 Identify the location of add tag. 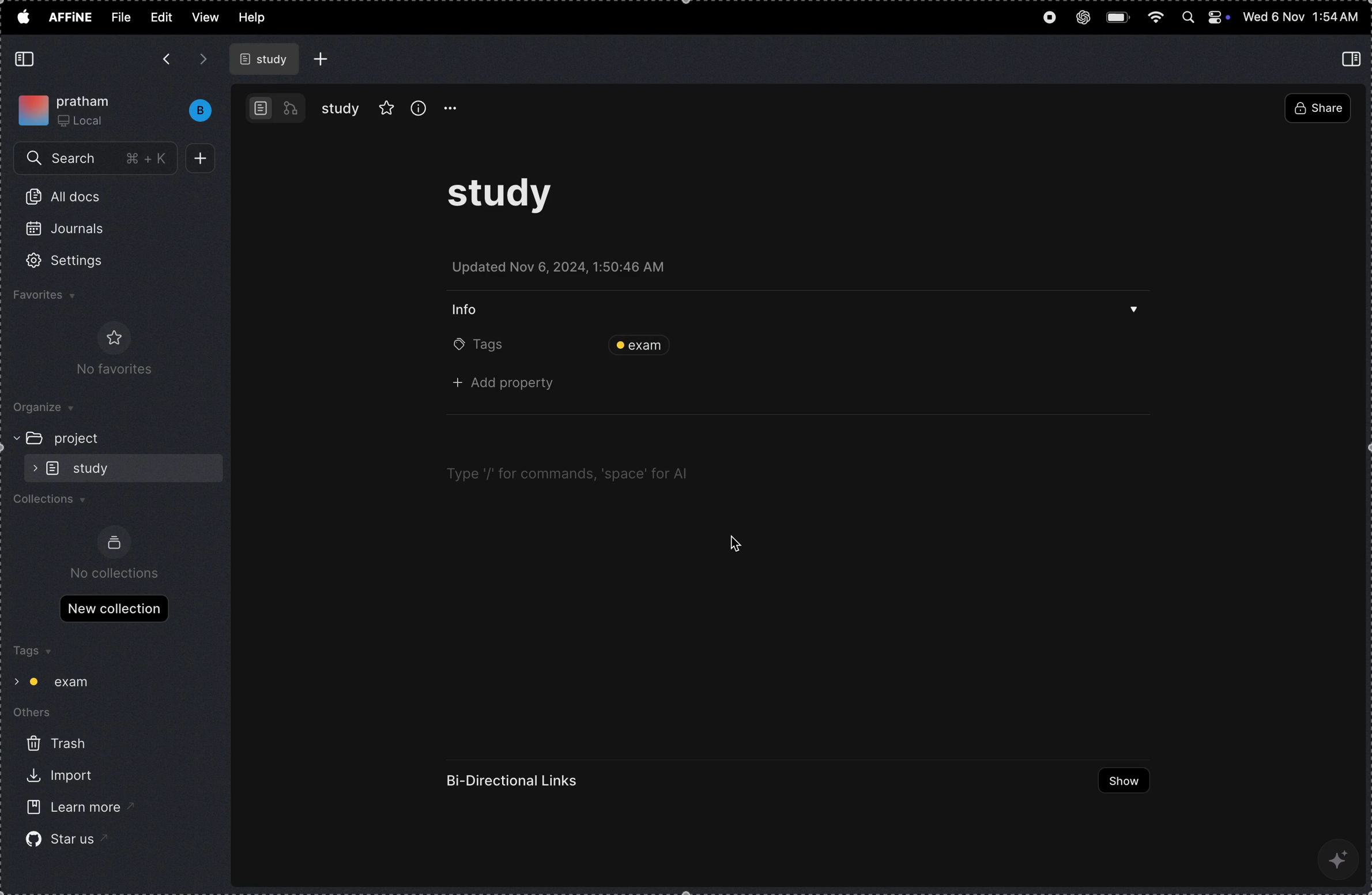
(876, 344).